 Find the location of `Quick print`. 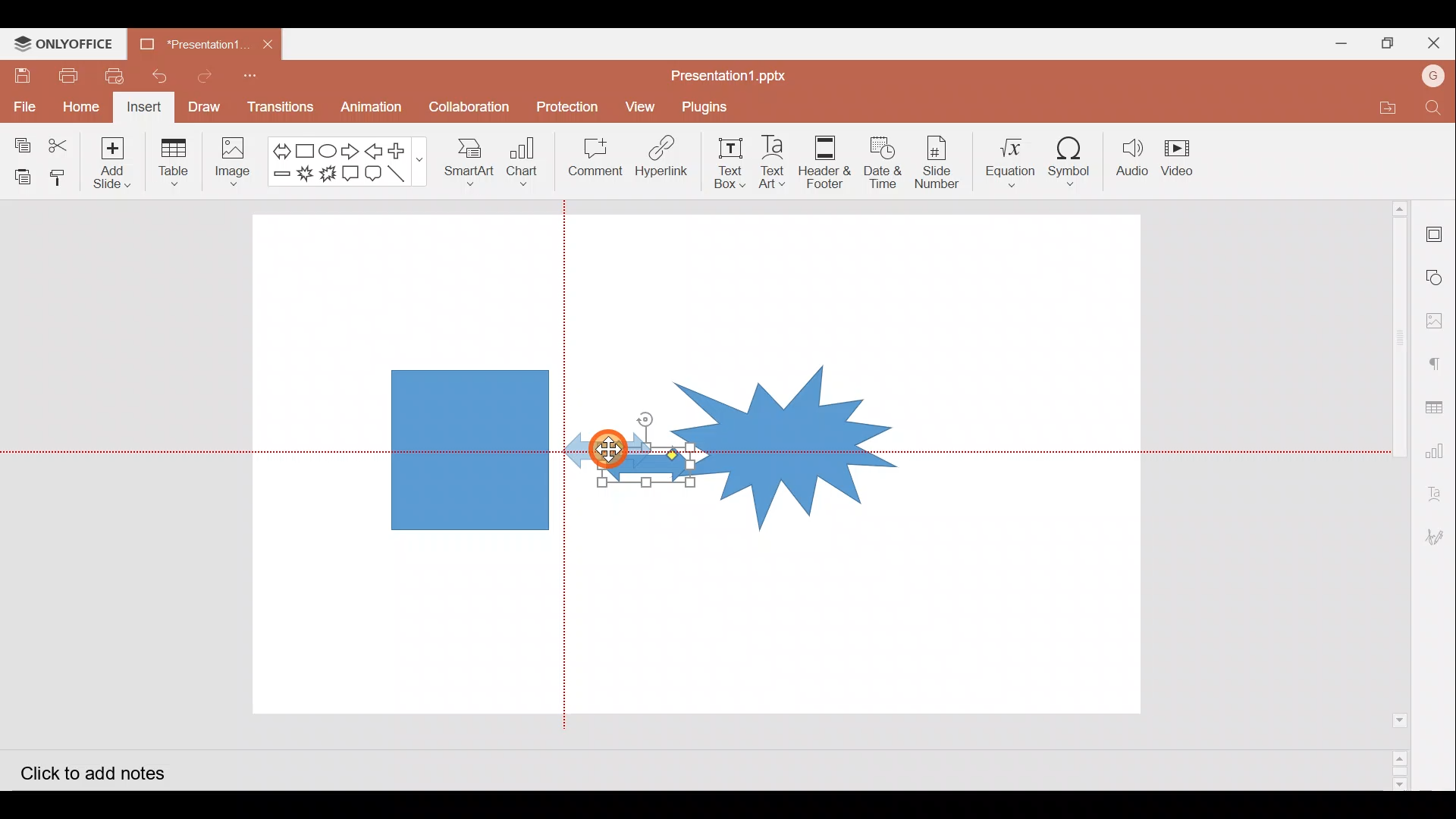

Quick print is located at coordinates (118, 77).